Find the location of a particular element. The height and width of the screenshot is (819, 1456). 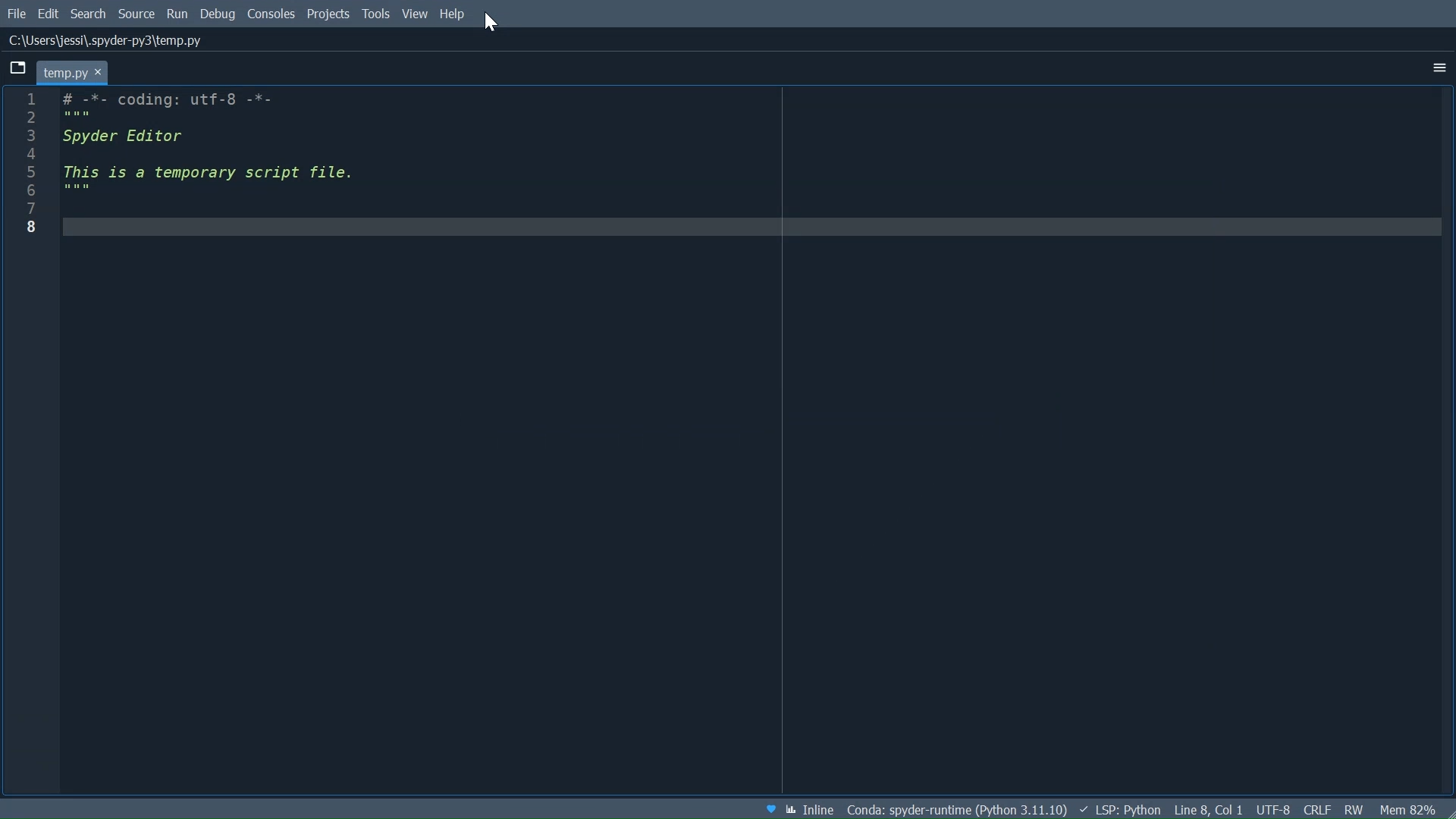

Run is located at coordinates (178, 14).